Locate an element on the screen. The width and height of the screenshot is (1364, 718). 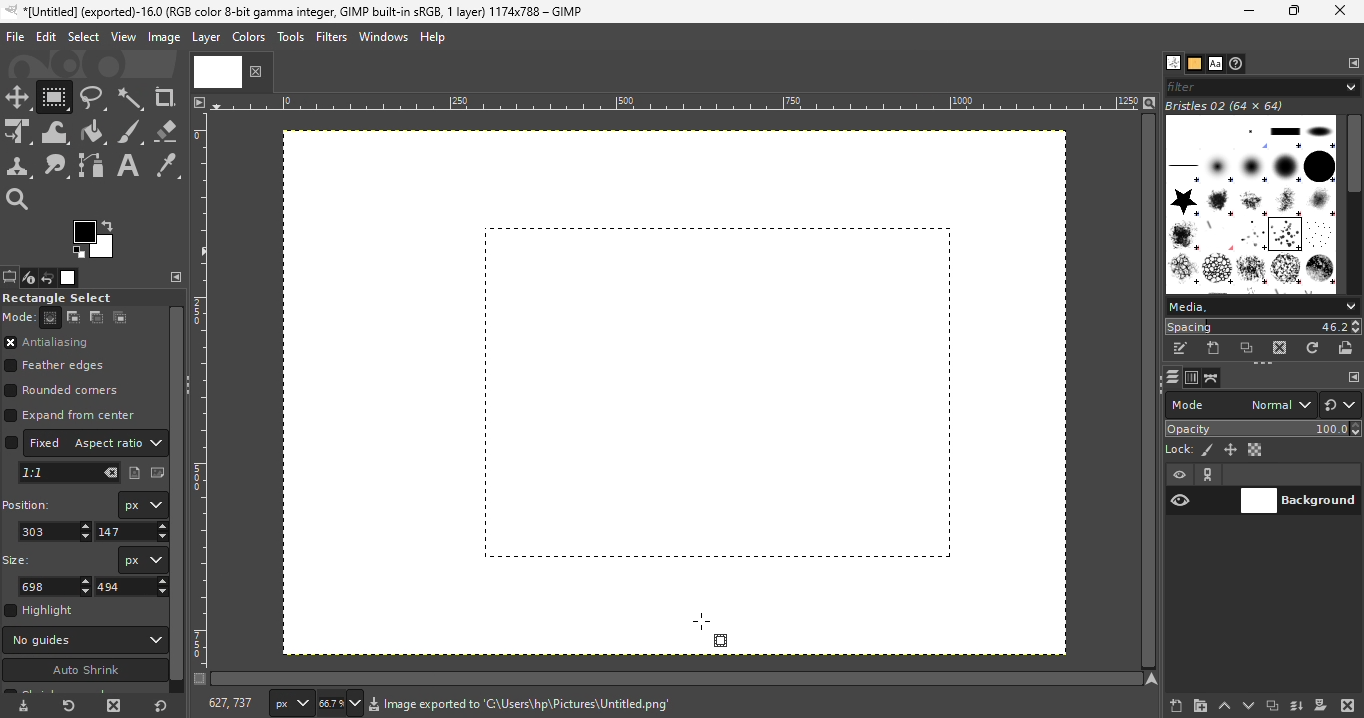
Select is located at coordinates (84, 39).